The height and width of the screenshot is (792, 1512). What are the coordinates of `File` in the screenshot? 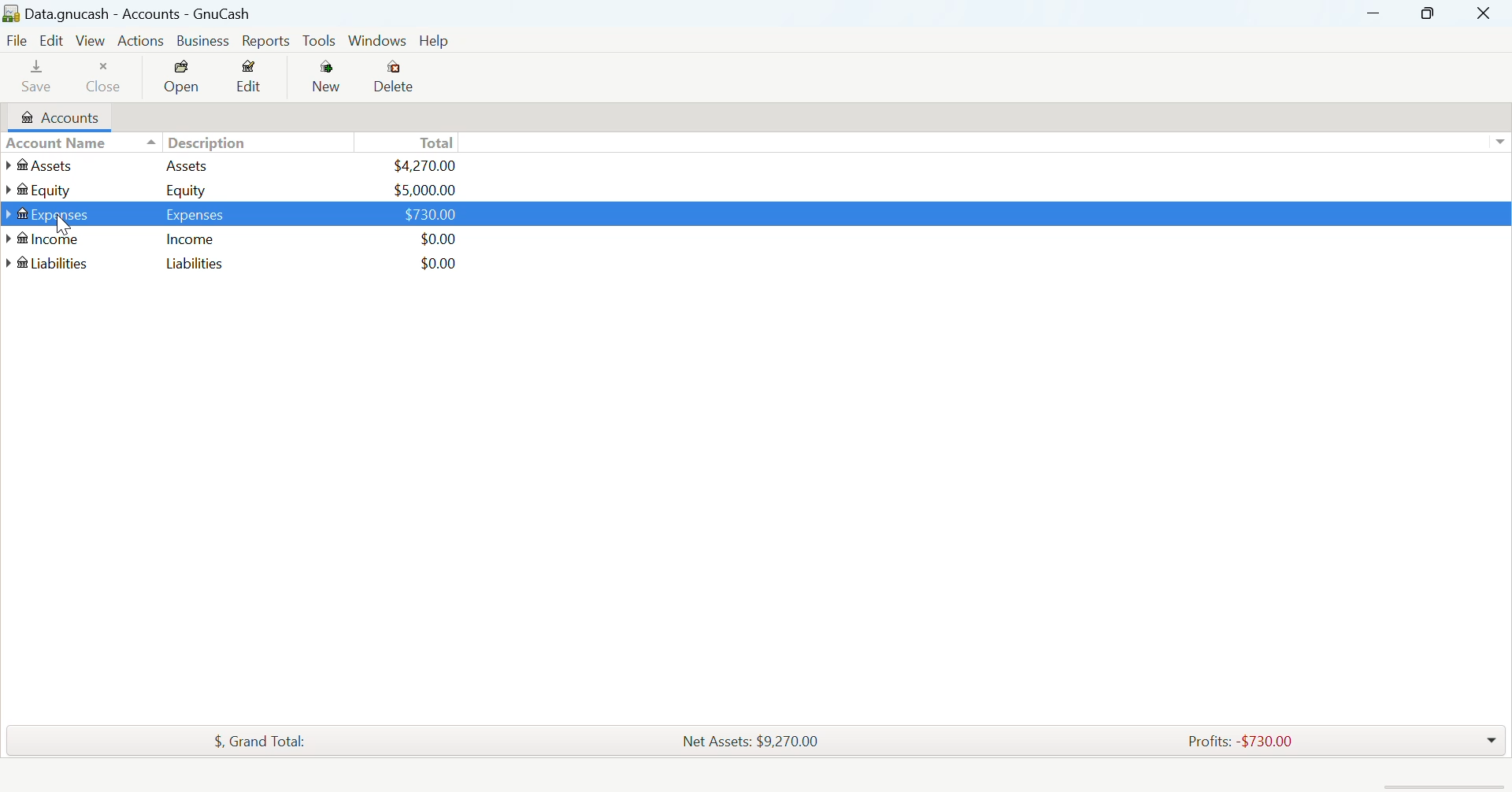 It's located at (18, 39).